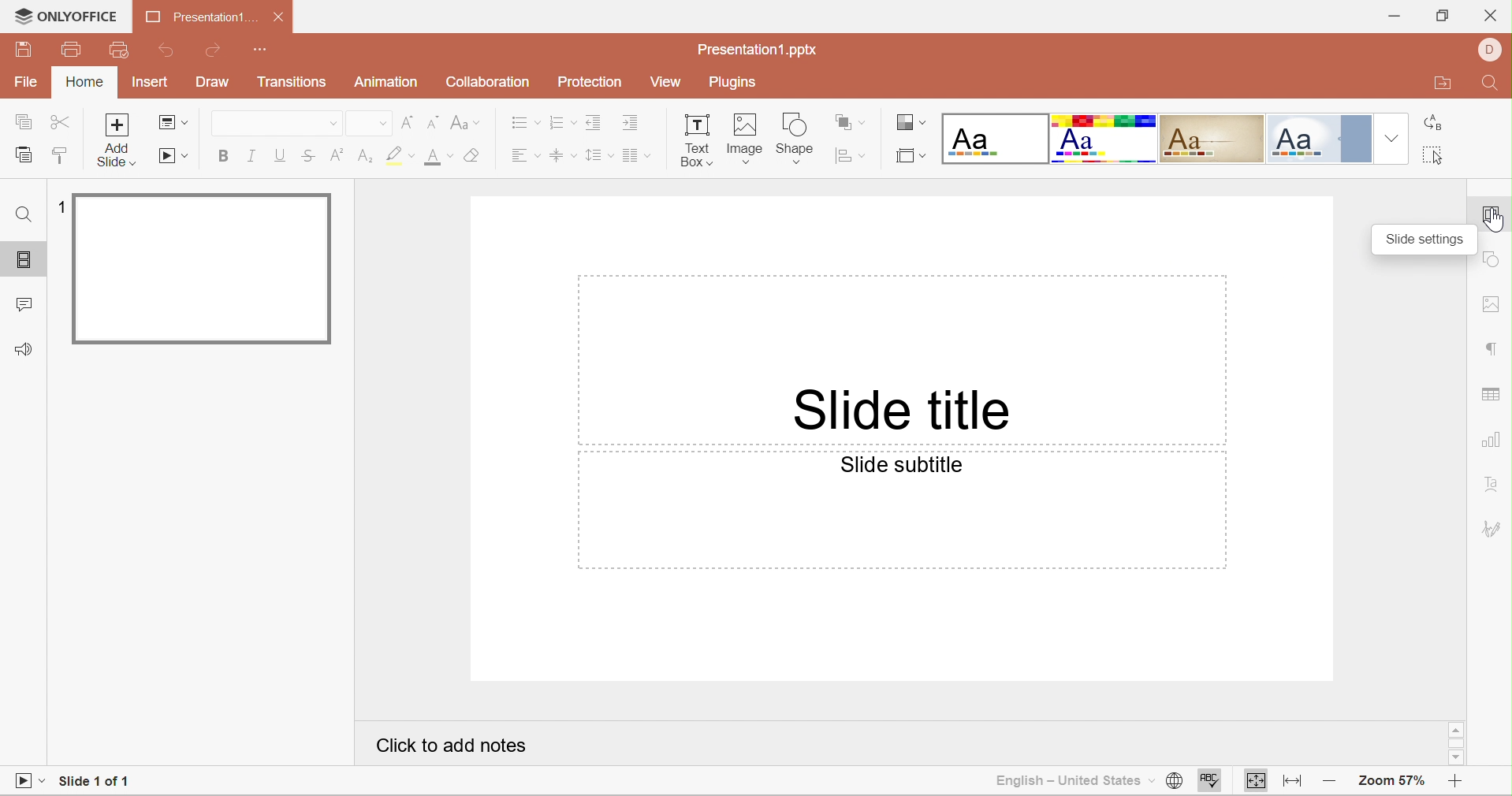 Image resolution: width=1512 pixels, height=796 pixels. I want to click on Presentation1..., so click(196, 17).